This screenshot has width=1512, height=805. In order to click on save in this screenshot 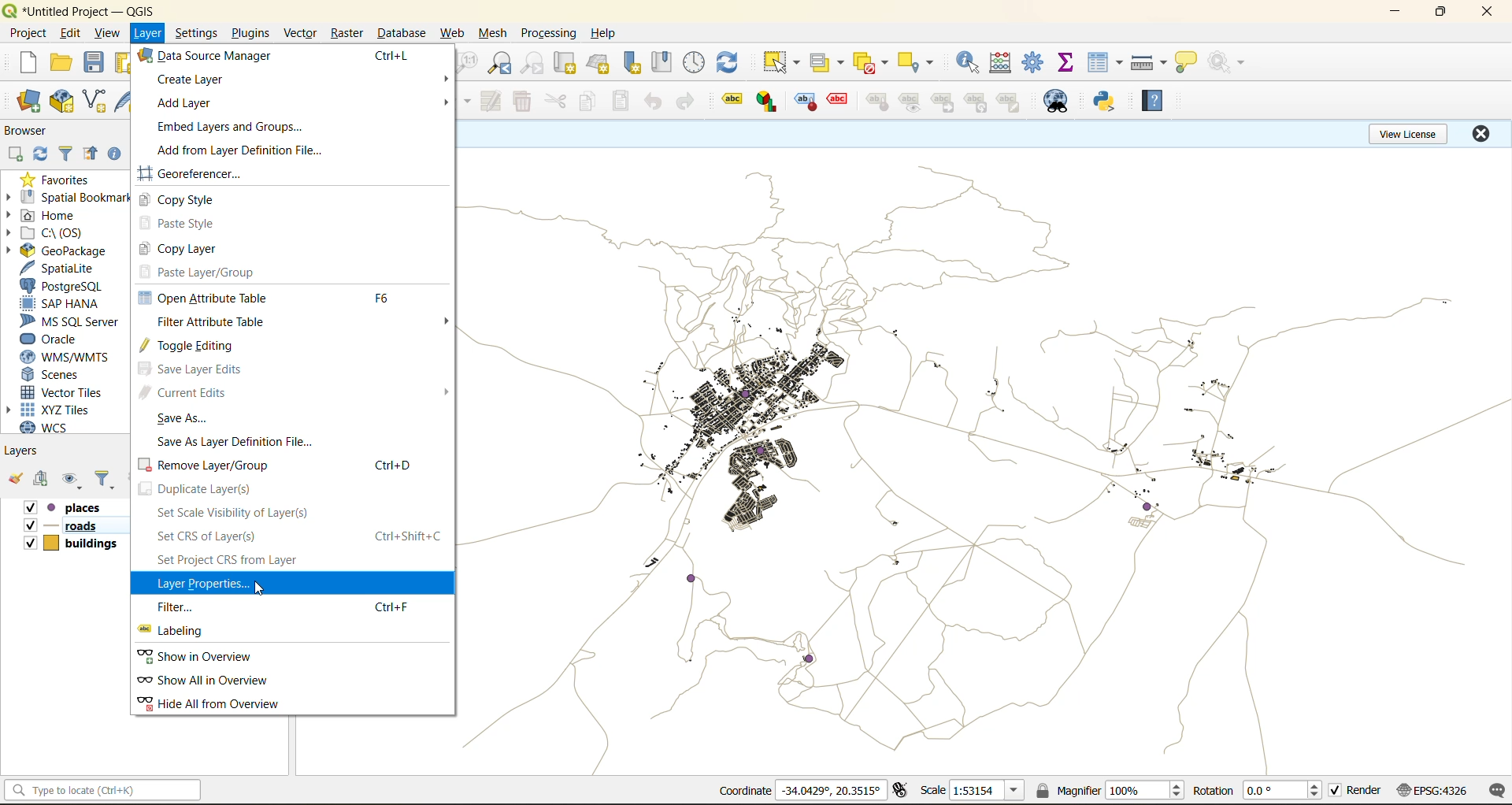, I will do `click(94, 61)`.